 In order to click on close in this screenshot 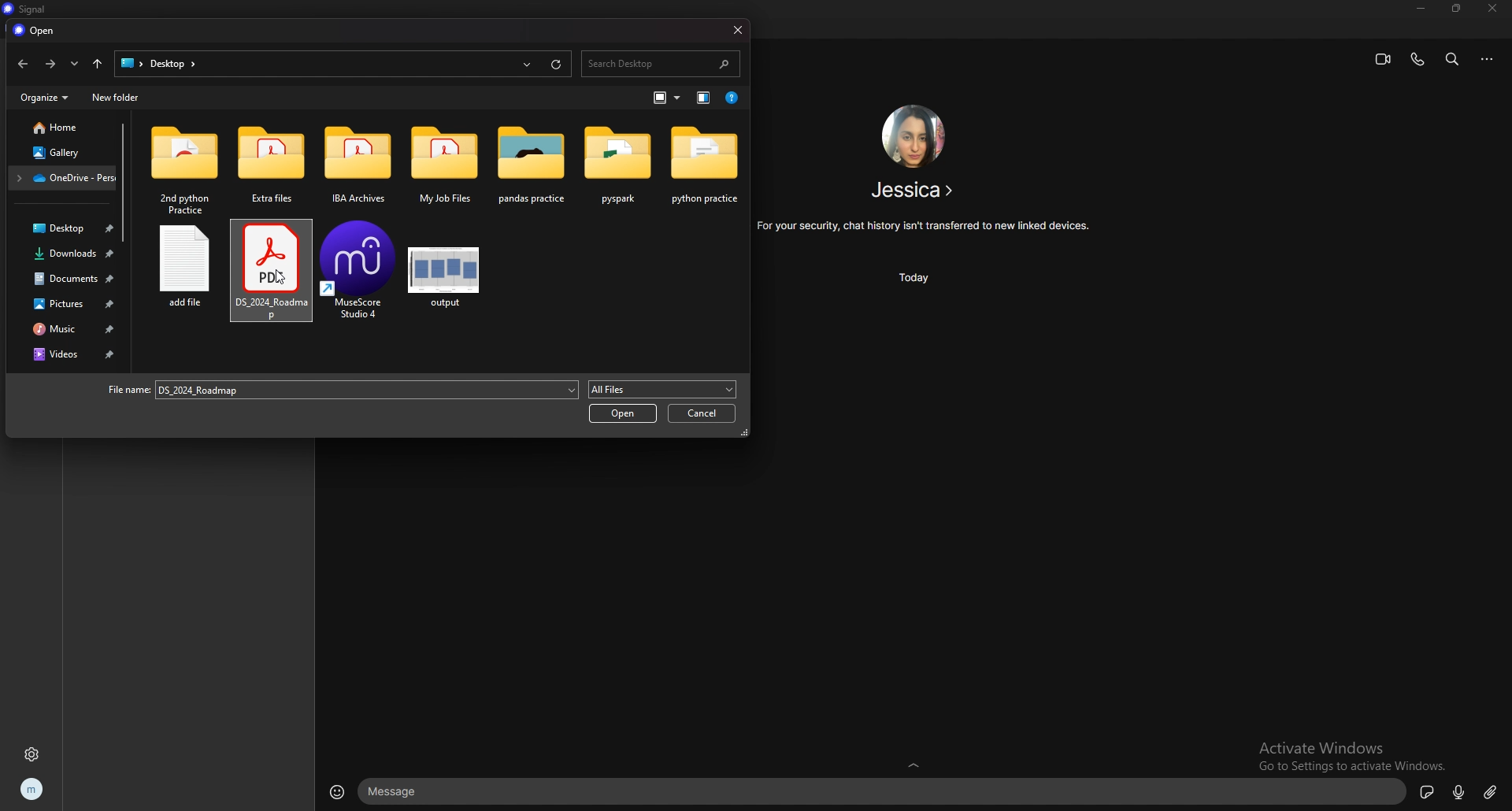, I will do `click(1494, 9)`.